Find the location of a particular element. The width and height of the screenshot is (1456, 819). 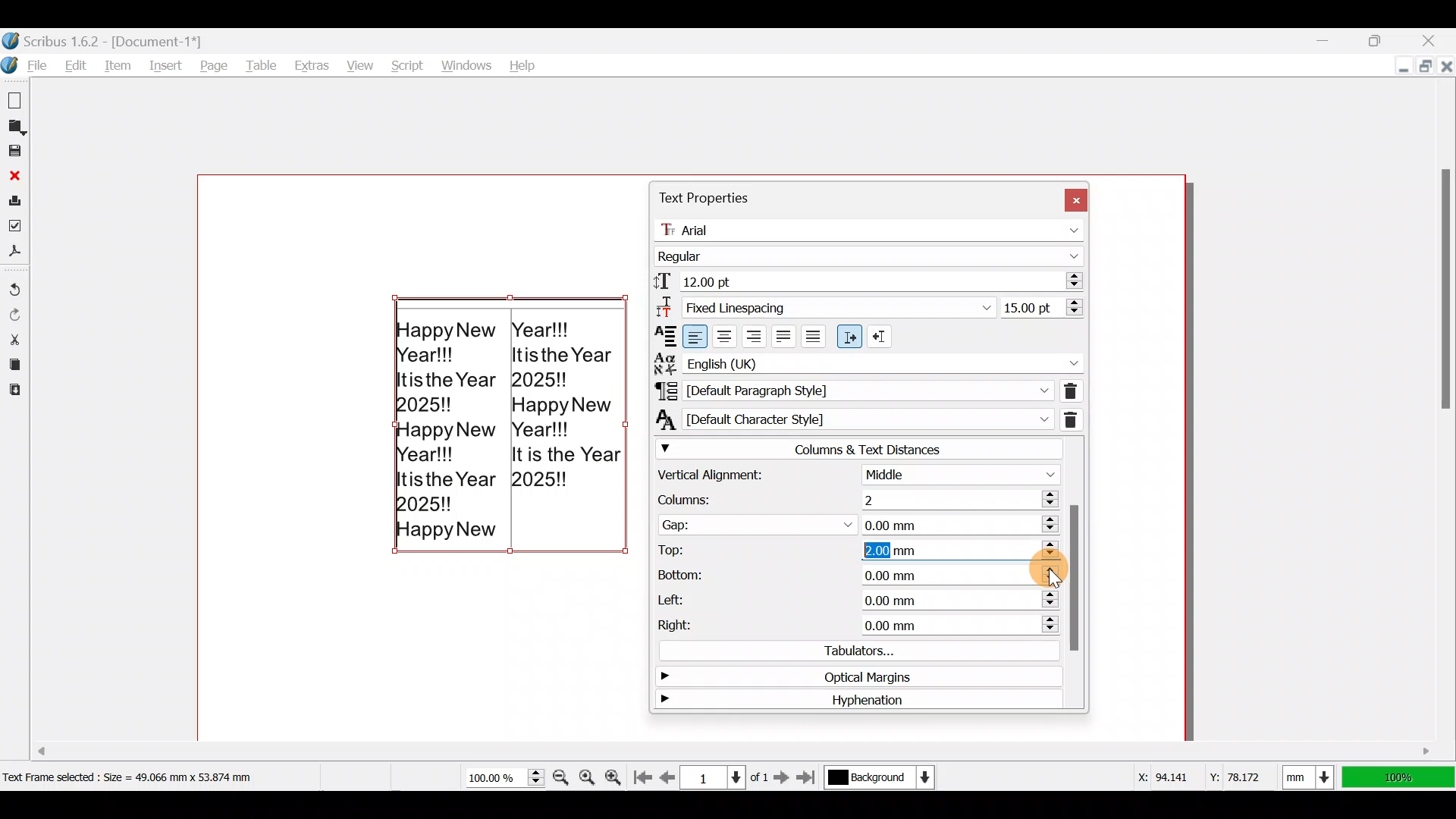

Font name is located at coordinates (873, 227).